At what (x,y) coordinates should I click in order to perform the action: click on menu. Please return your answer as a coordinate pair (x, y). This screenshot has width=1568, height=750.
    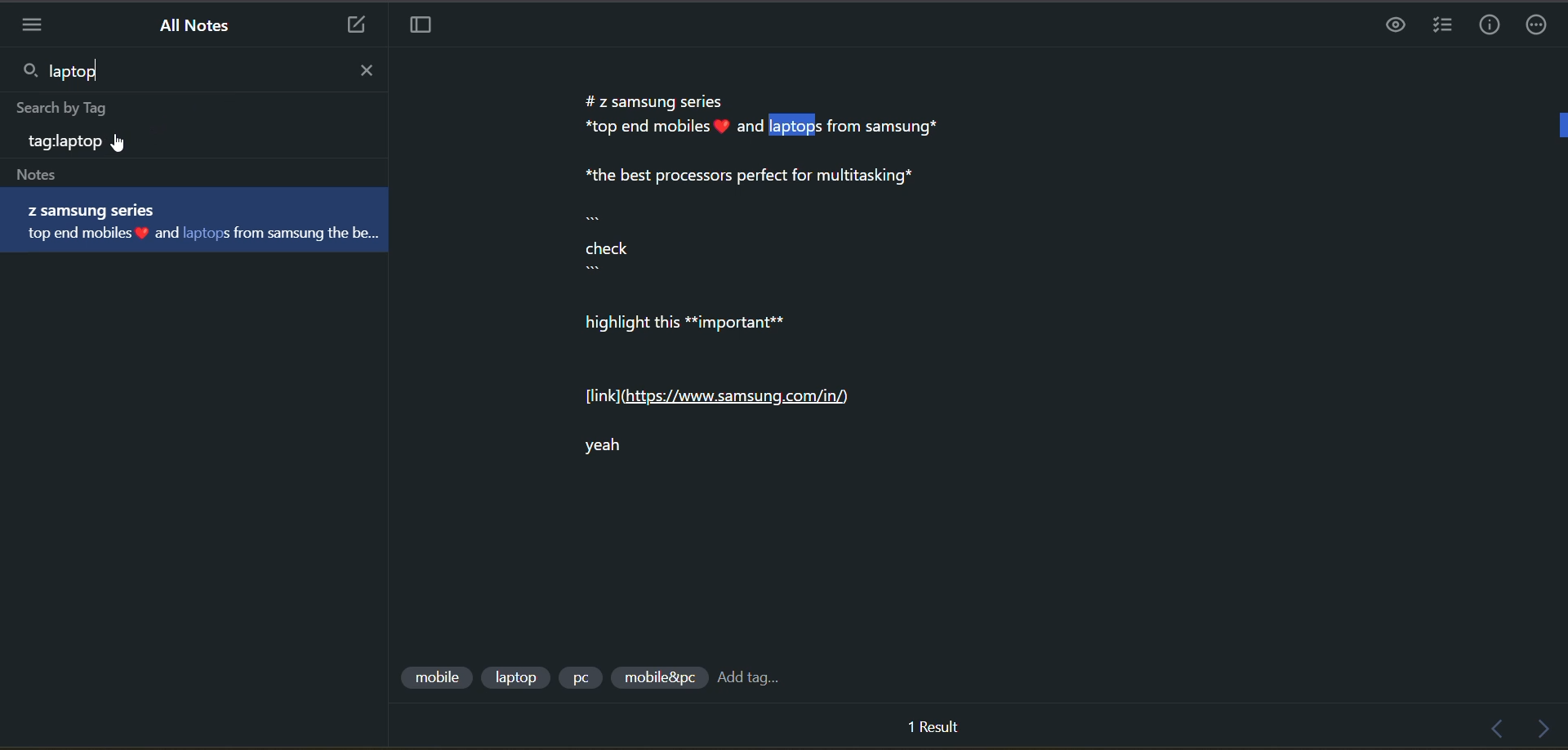
    Looking at the image, I should click on (38, 26).